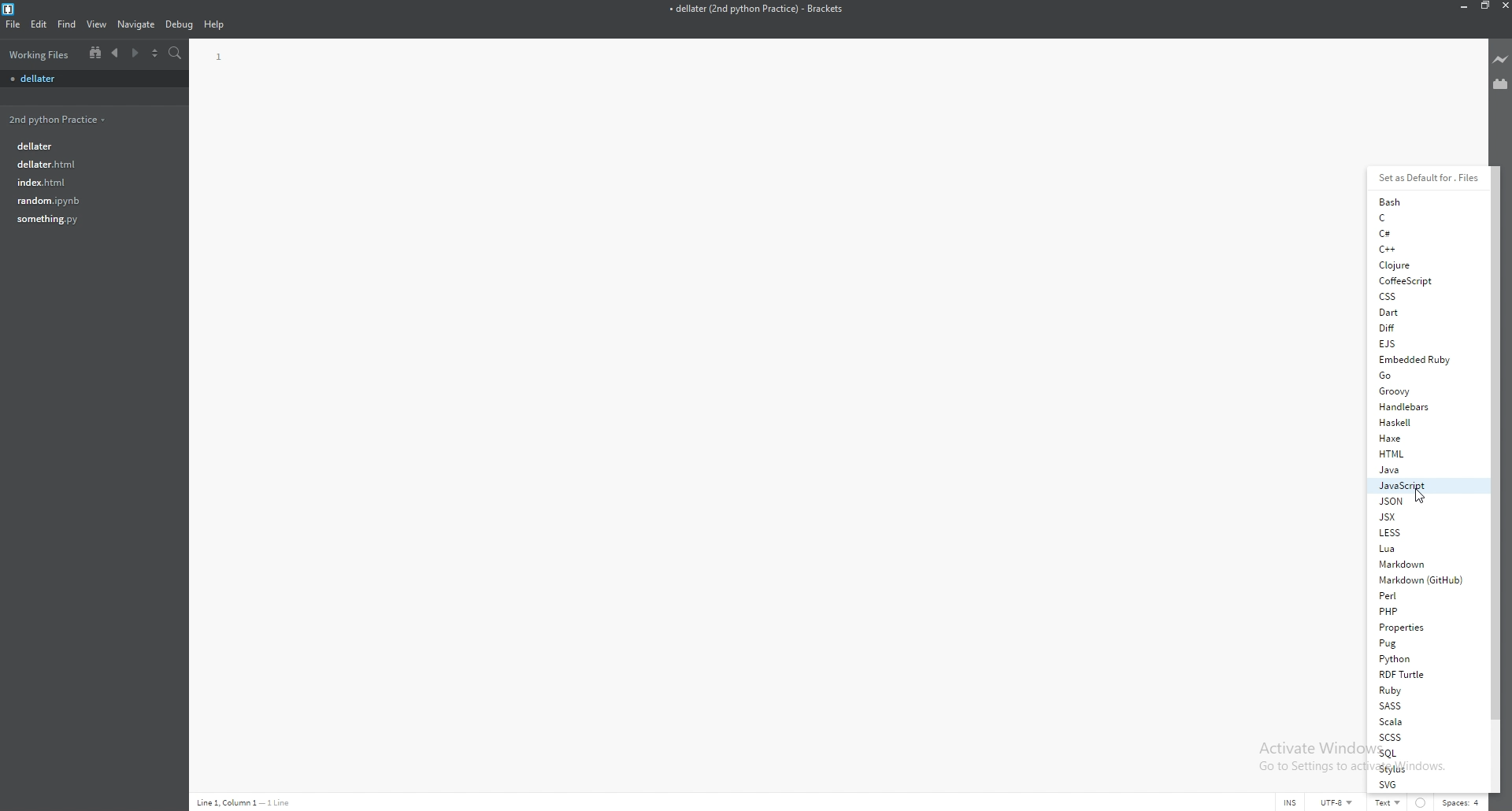 The image size is (1512, 811). I want to click on markdown, so click(1423, 563).